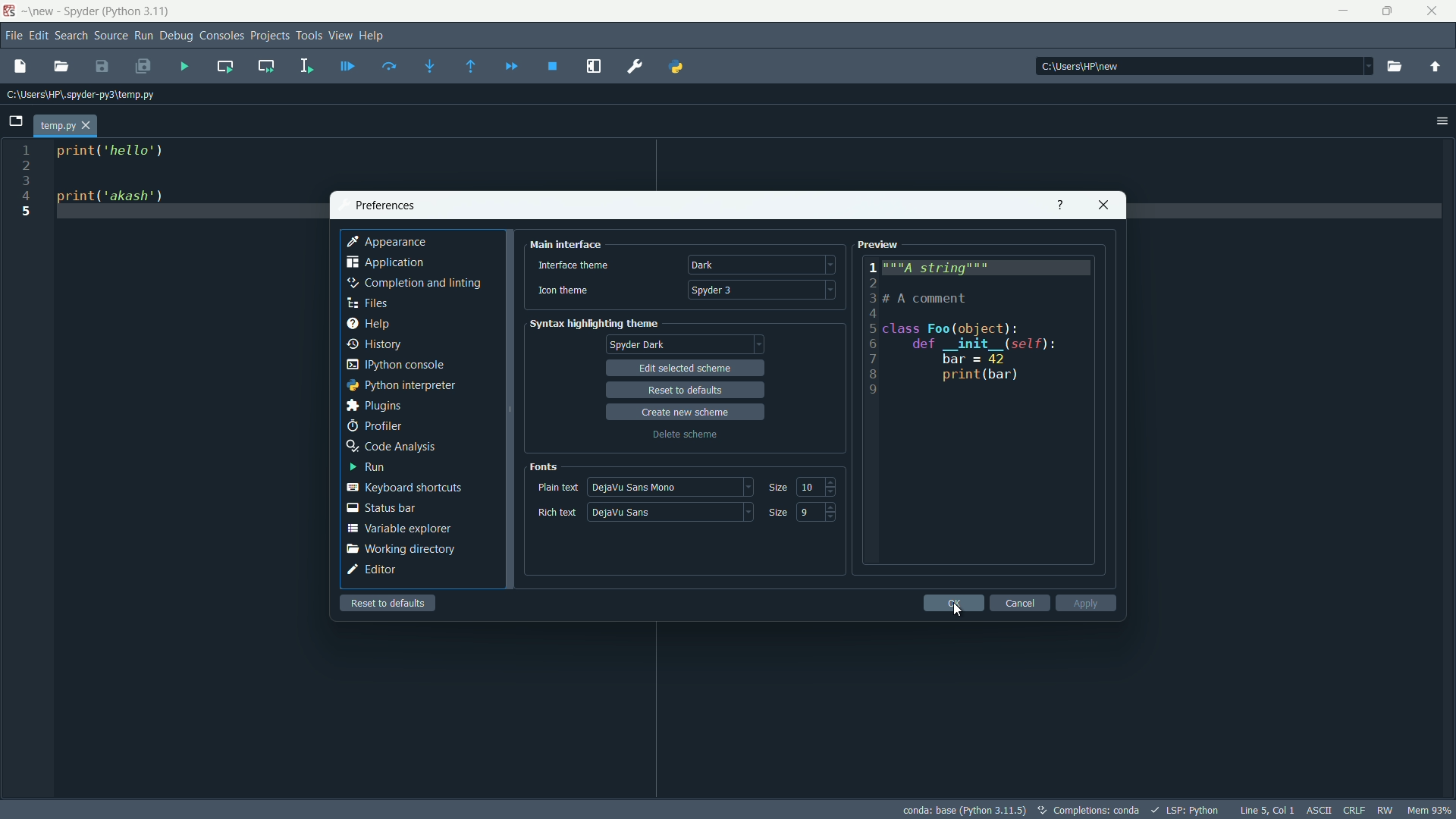  Describe the element at coordinates (26, 182) in the screenshot. I see `line numbers` at that location.